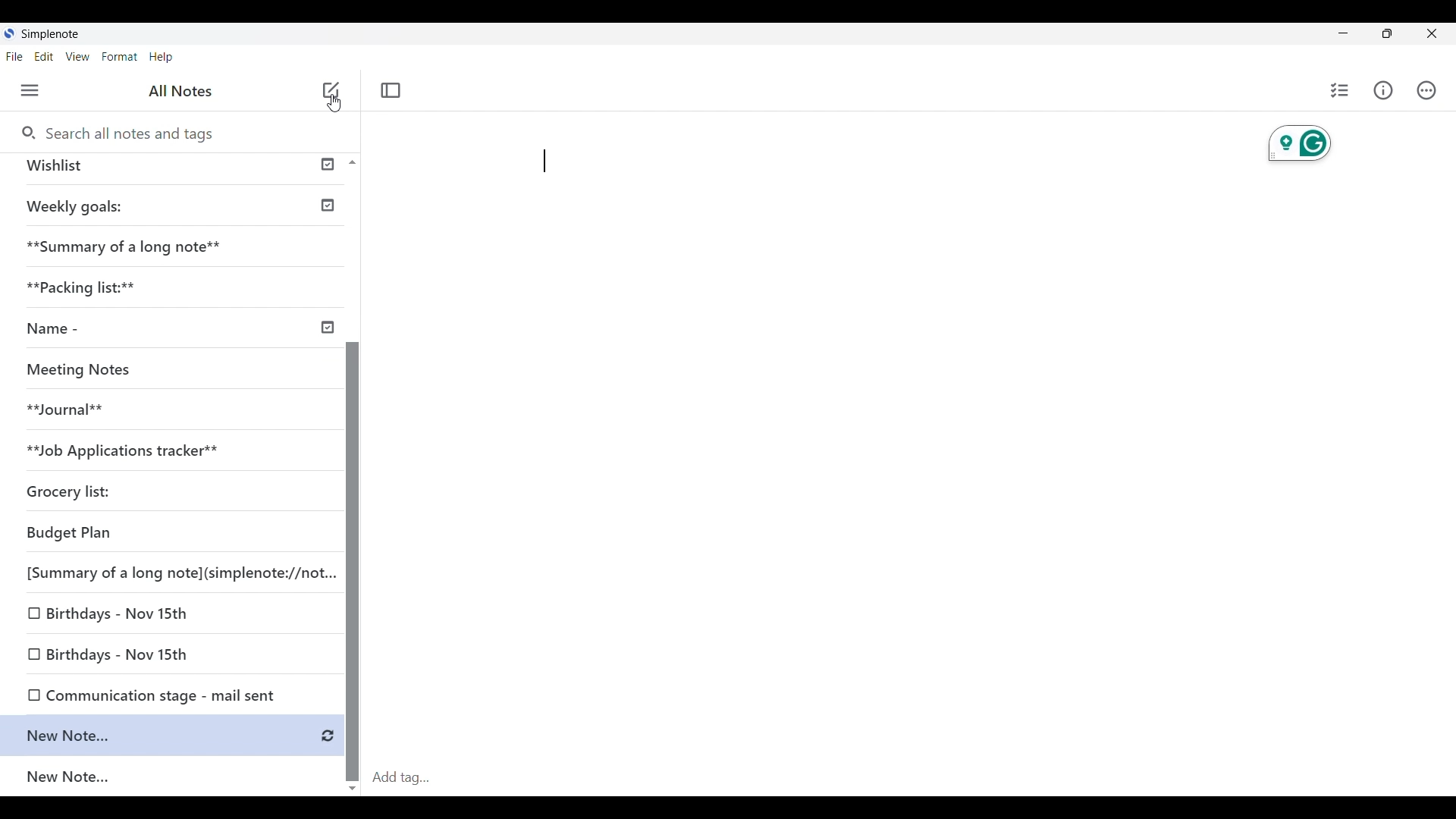 The height and width of the screenshot is (819, 1456). What do you see at coordinates (911, 778) in the screenshot?
I see `Click to add tag` at bounding box center [911, 778].